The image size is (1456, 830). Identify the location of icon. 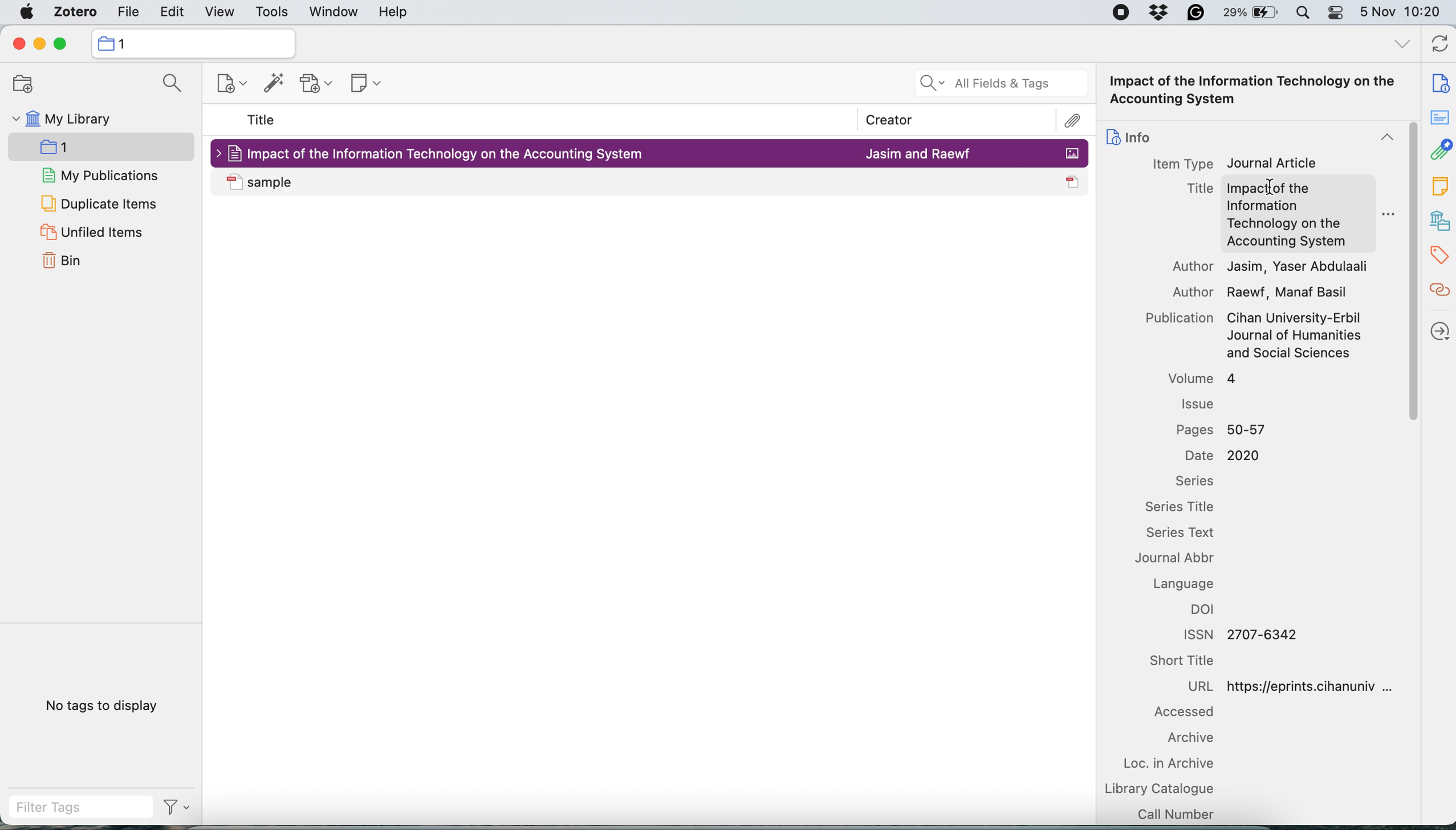
(105, 43).